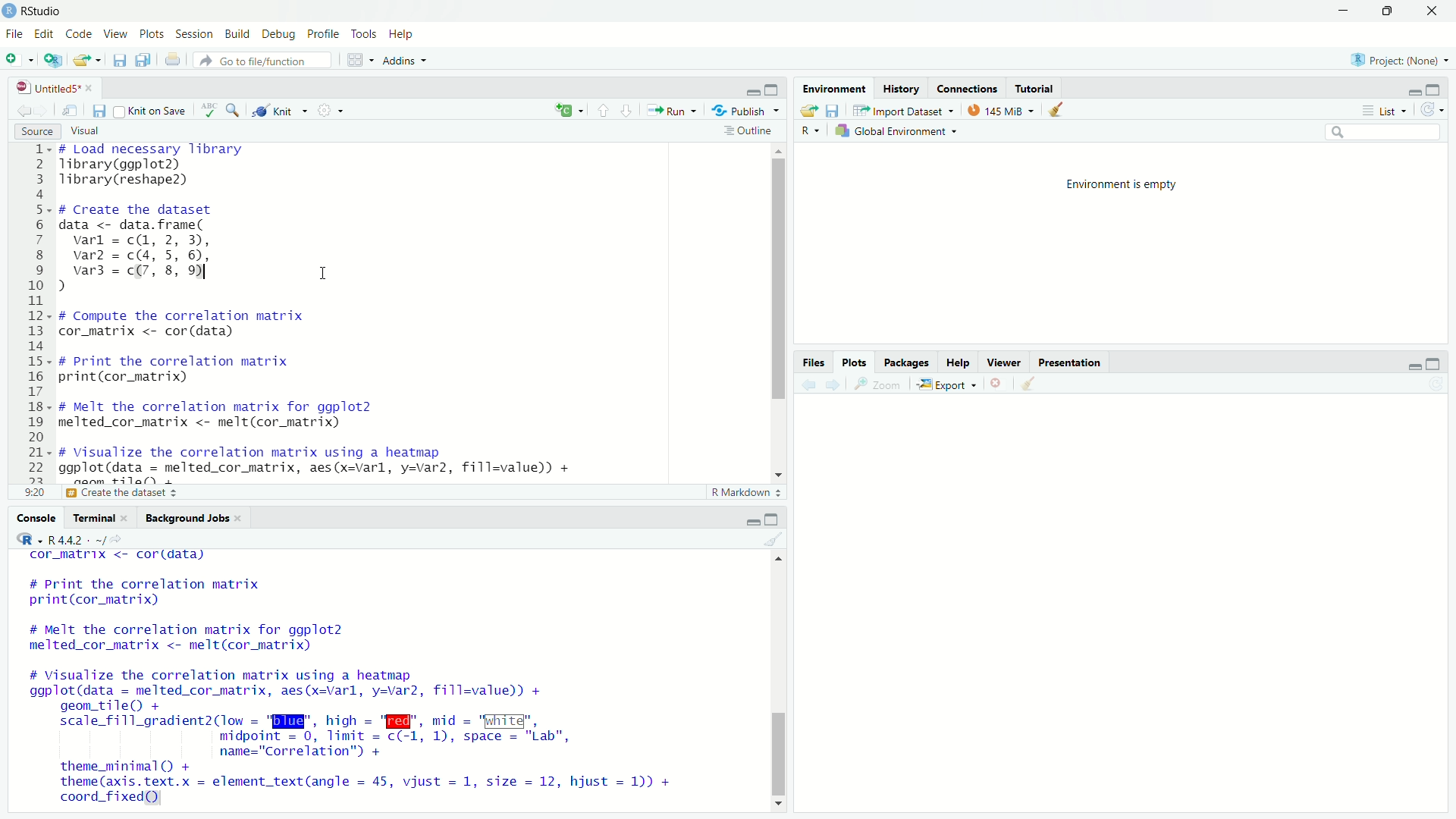  What do you see at coordinates (752, 131) in the screenshot?
I see `outline` at bounding box center [752, 131].